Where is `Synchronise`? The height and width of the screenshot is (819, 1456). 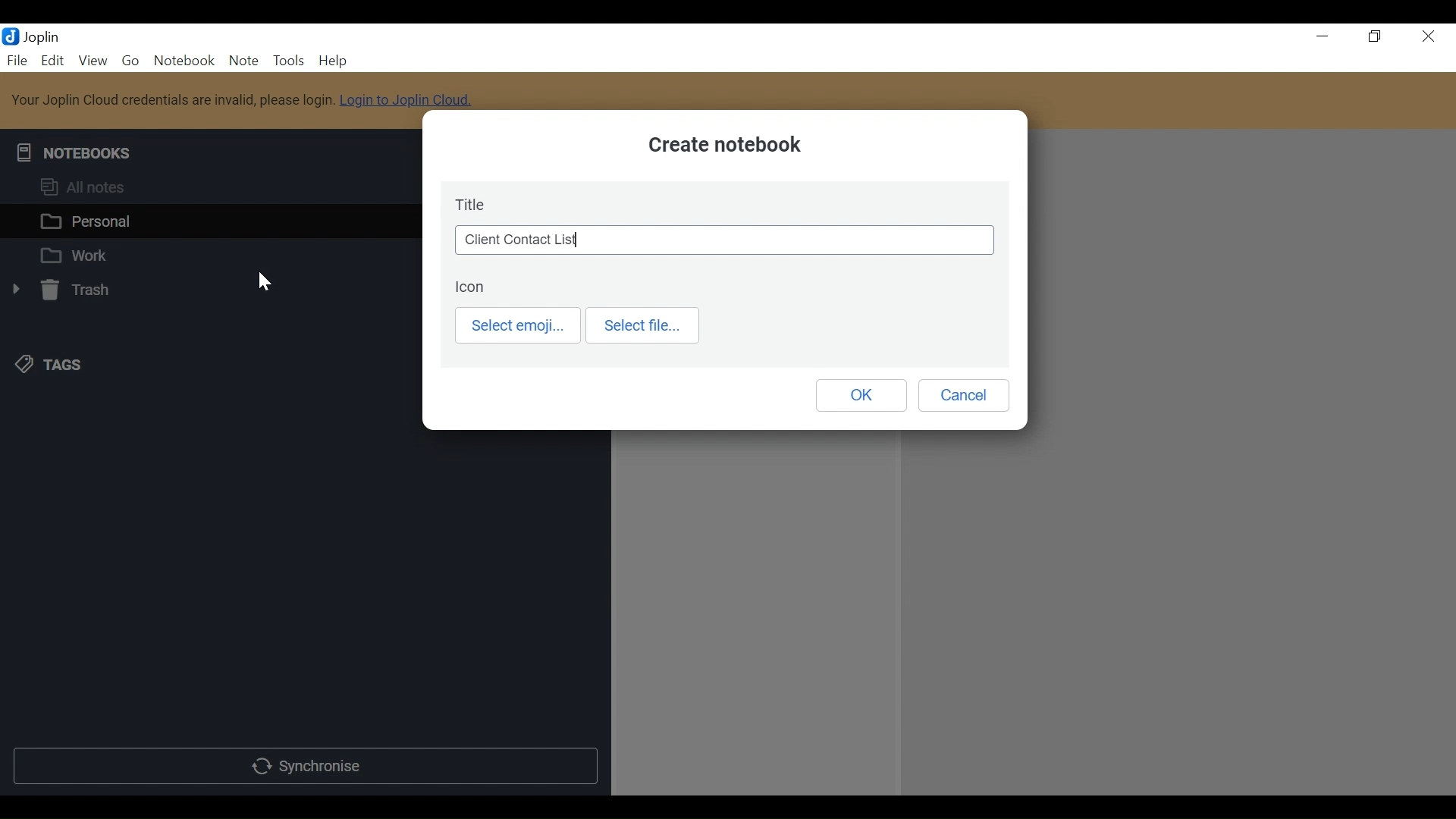 Synchronise is located at coordinates (306, 767).